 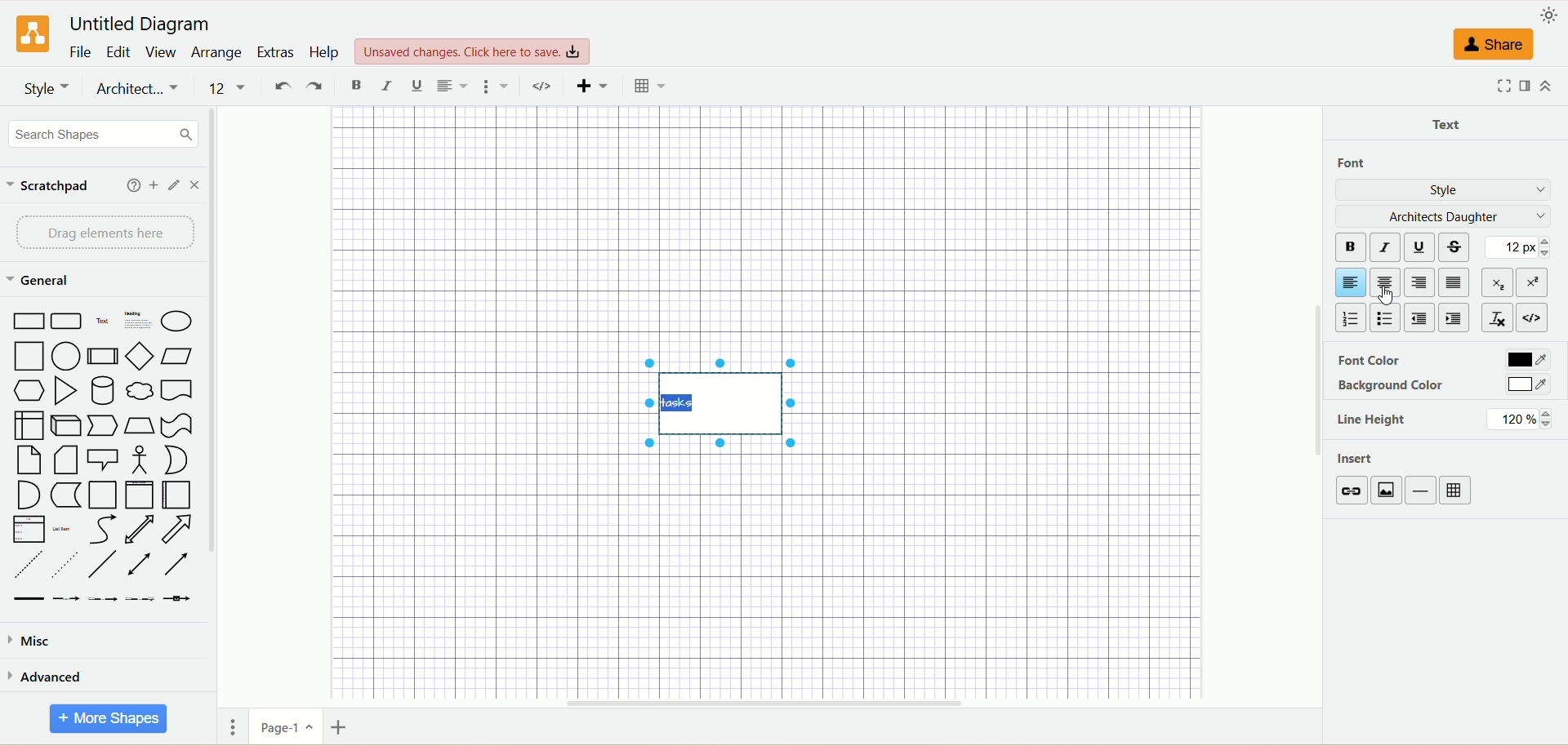 I want to click on Horizontal Page, so click(x=176, y=495).